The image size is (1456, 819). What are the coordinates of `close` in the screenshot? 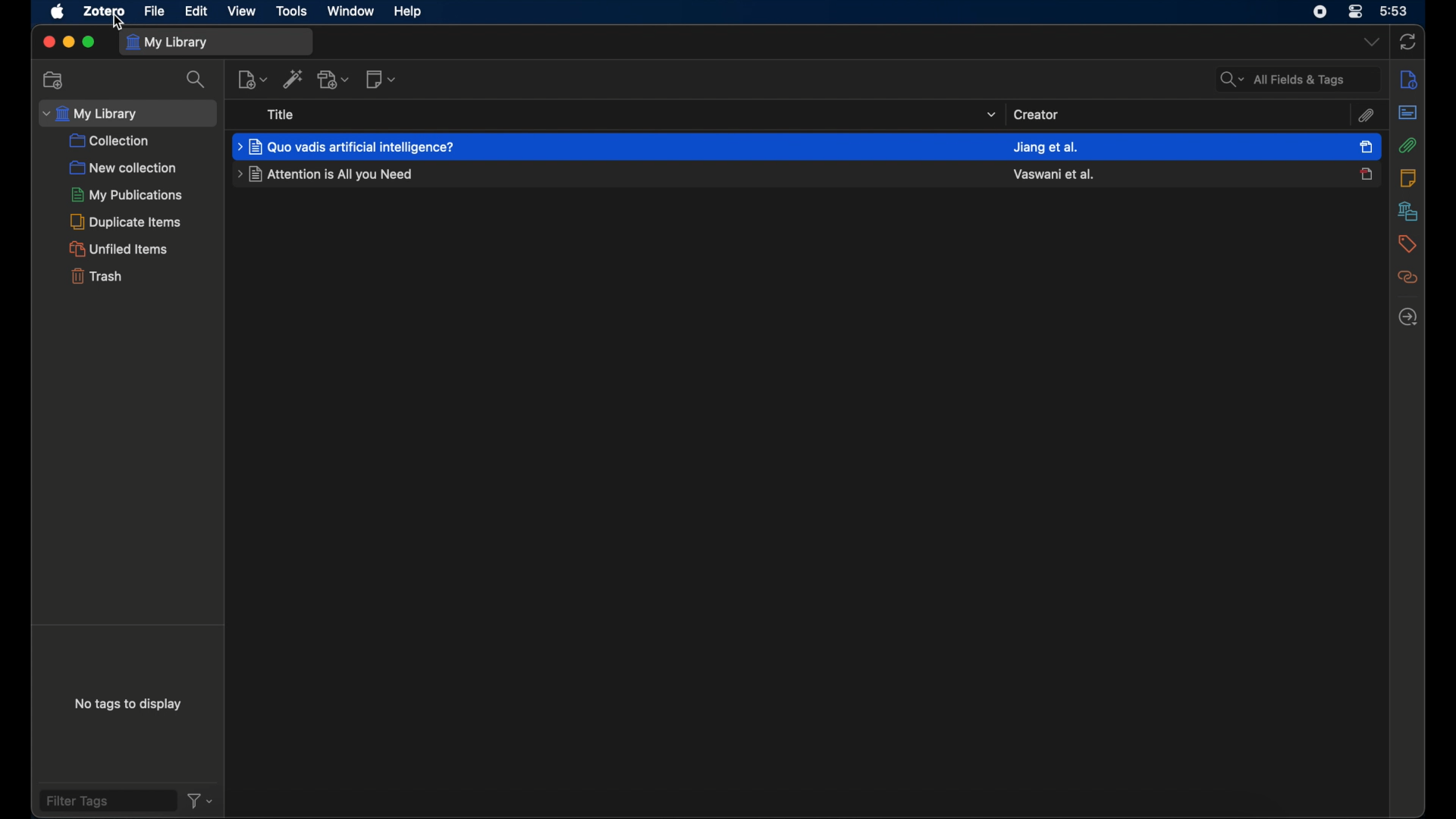 It's located at (47, 41).